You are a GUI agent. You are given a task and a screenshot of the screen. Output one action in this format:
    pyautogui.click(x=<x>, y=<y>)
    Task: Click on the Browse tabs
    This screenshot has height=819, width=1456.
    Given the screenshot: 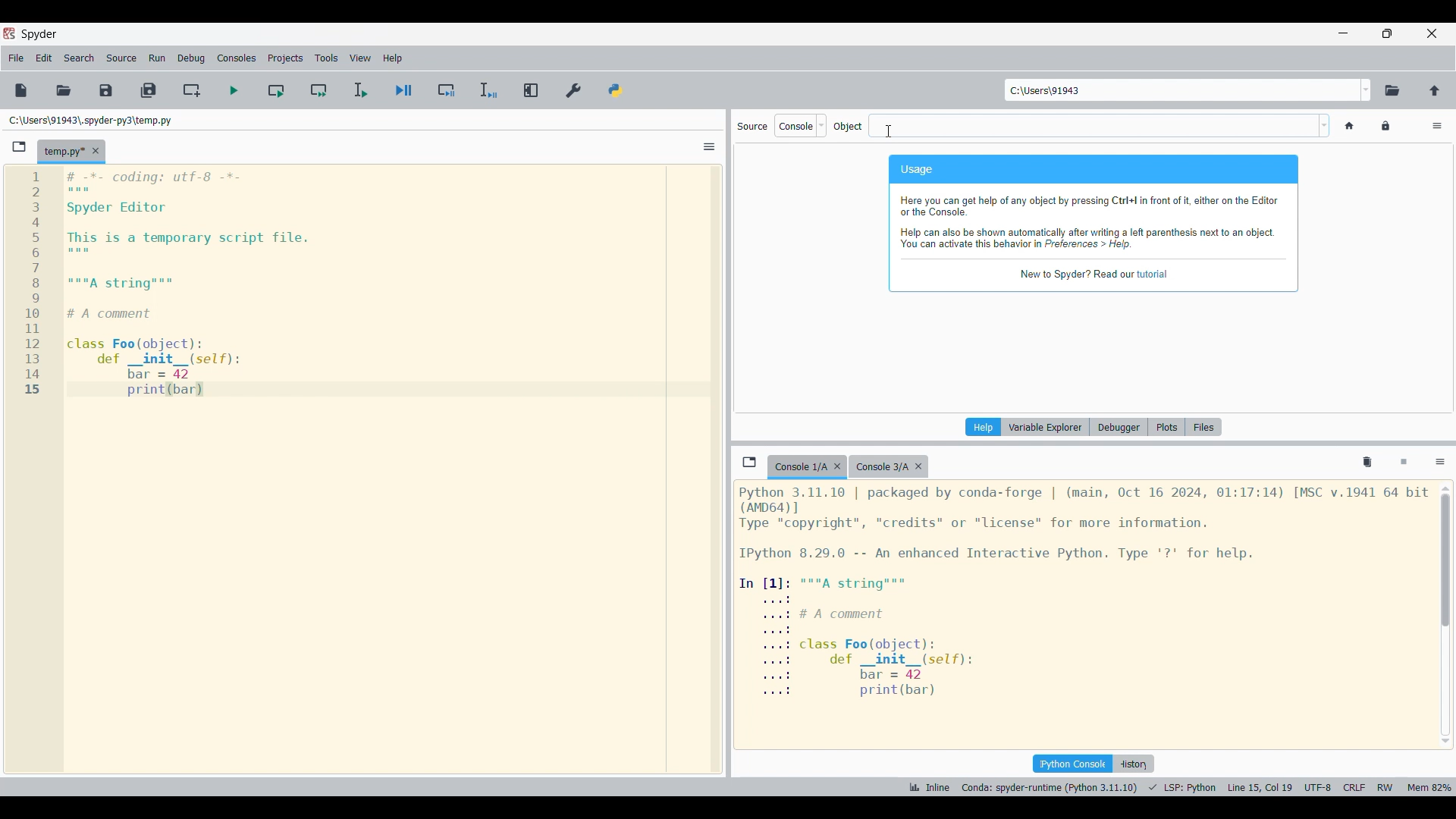 What is the action you would take?
    pyautogui.click(x=20, y=147)
    